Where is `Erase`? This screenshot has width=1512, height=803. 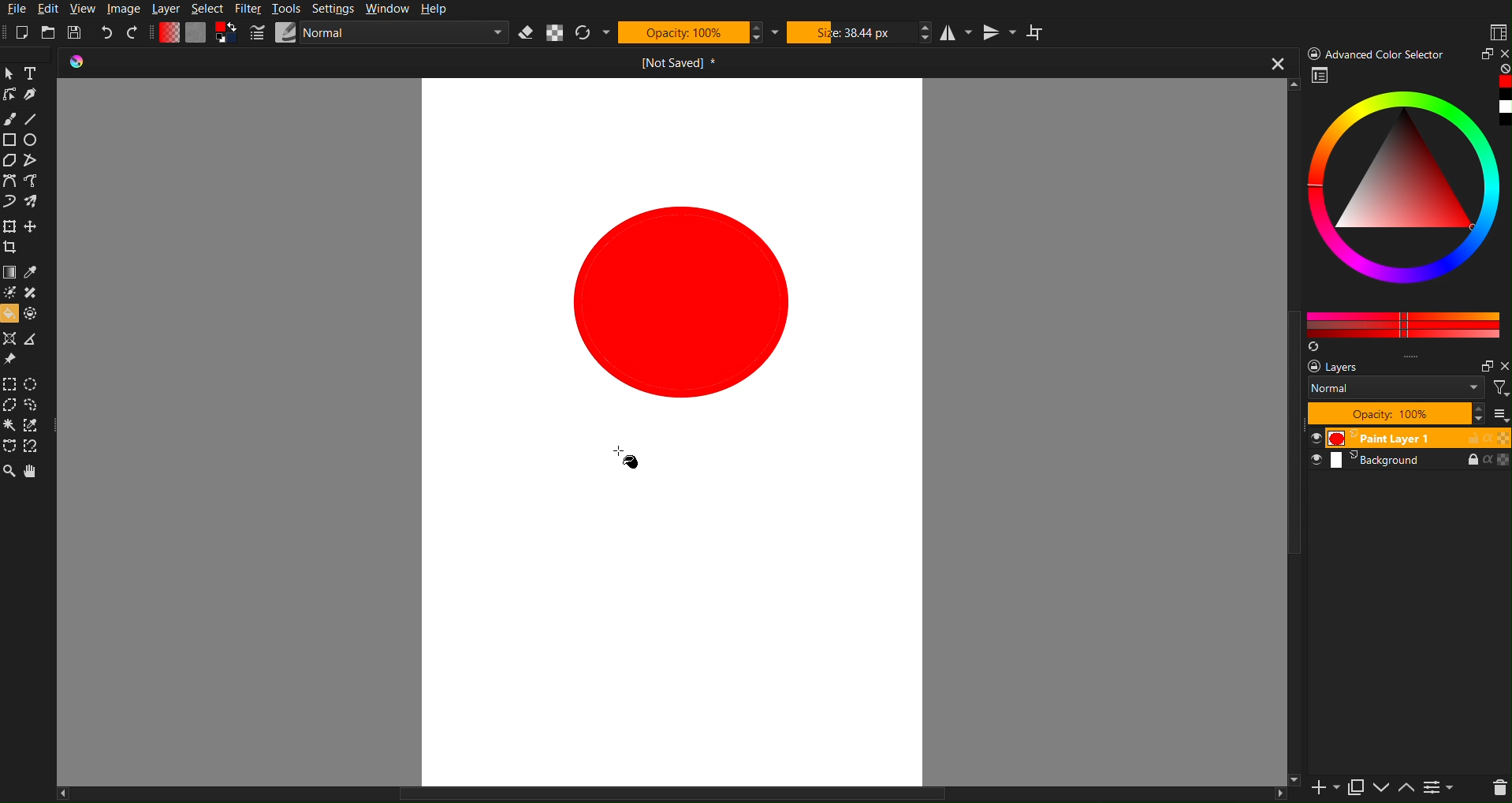 Erase is located at coordinates (525, 32).